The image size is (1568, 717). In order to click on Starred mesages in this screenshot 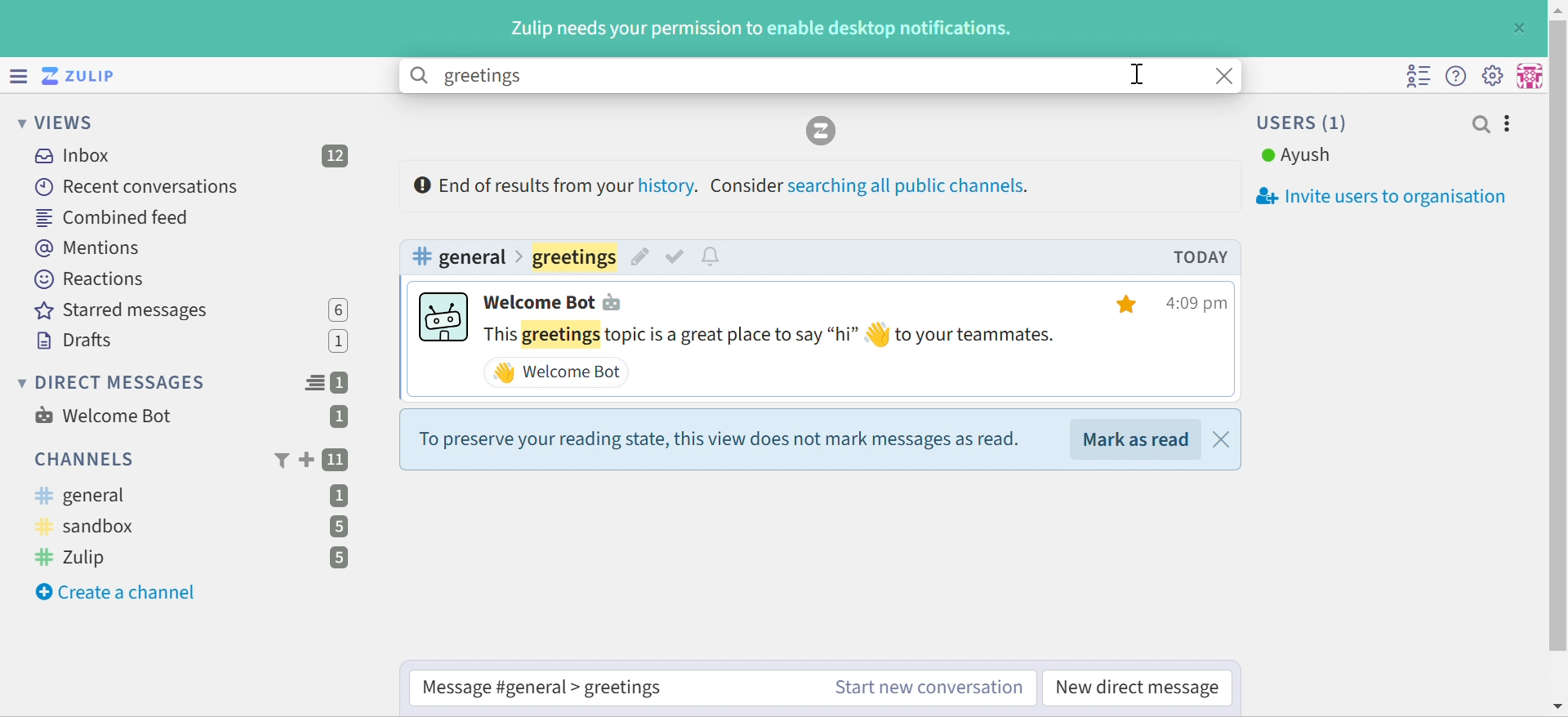, I will do `click(127, 311)`.